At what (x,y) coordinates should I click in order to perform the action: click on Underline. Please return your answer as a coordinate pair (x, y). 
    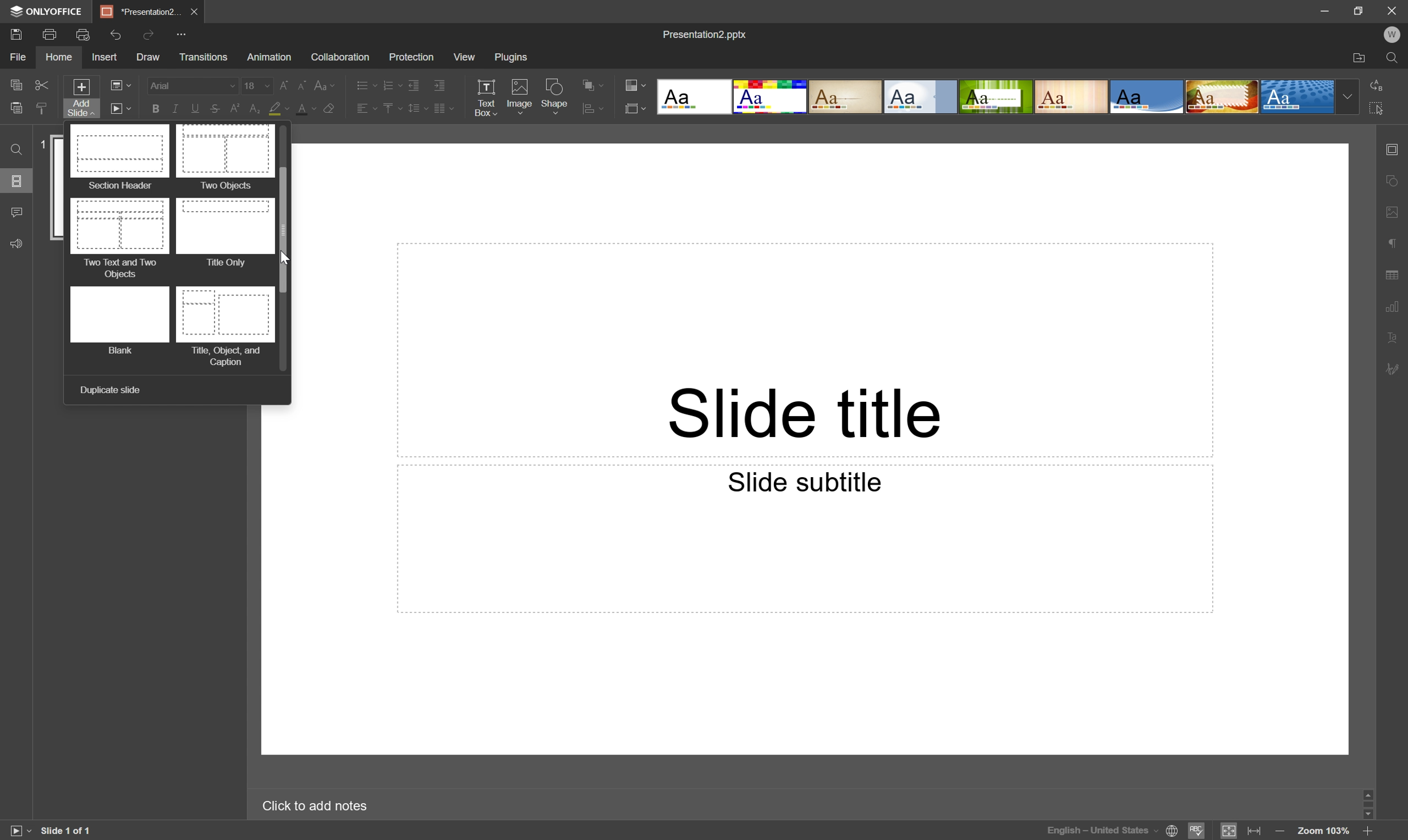
    Looking at the image, I should click on (193, 108).